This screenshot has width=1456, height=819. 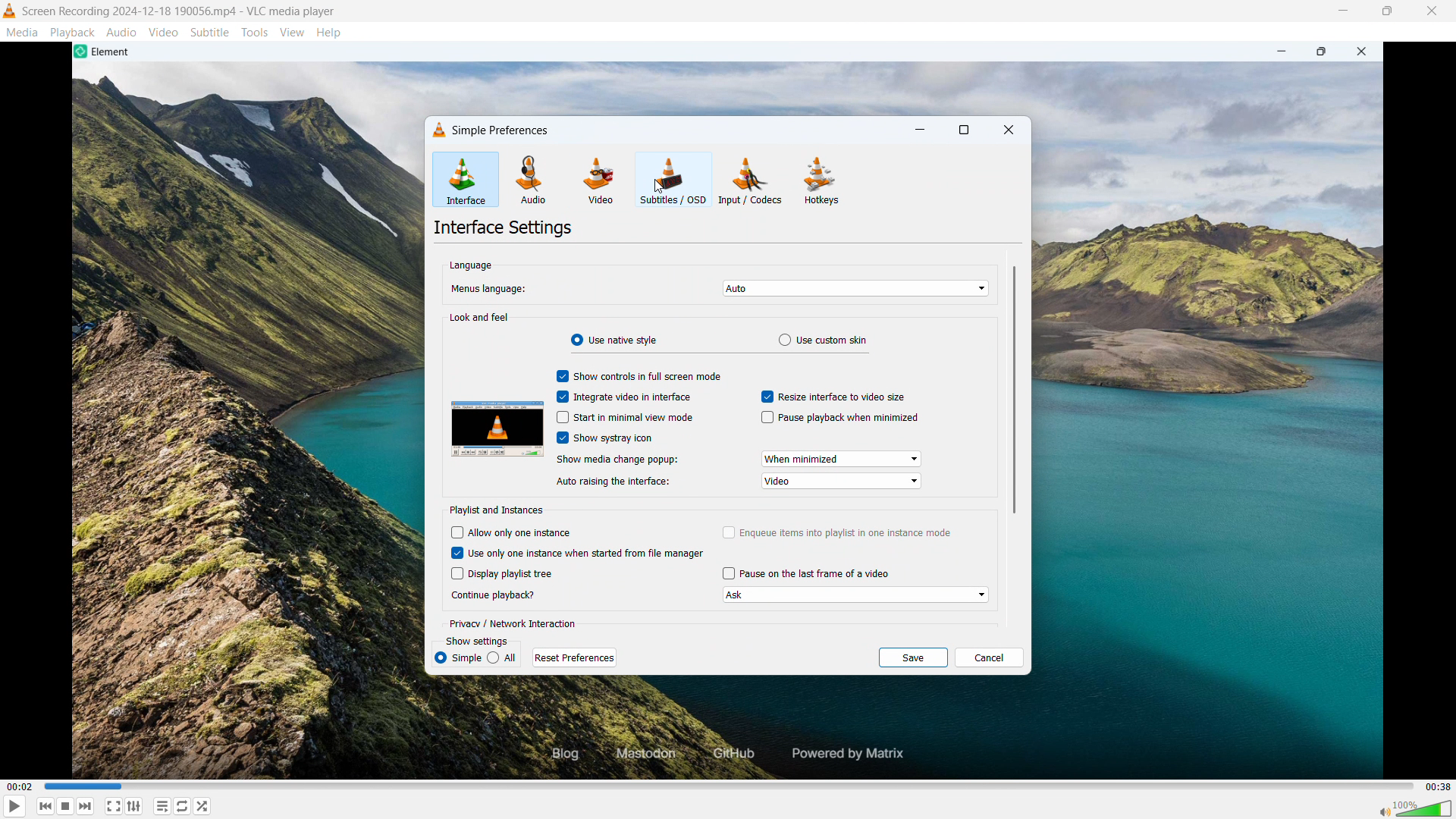 I want to click on Maximise dialogue box , so click(x=965, y=130).